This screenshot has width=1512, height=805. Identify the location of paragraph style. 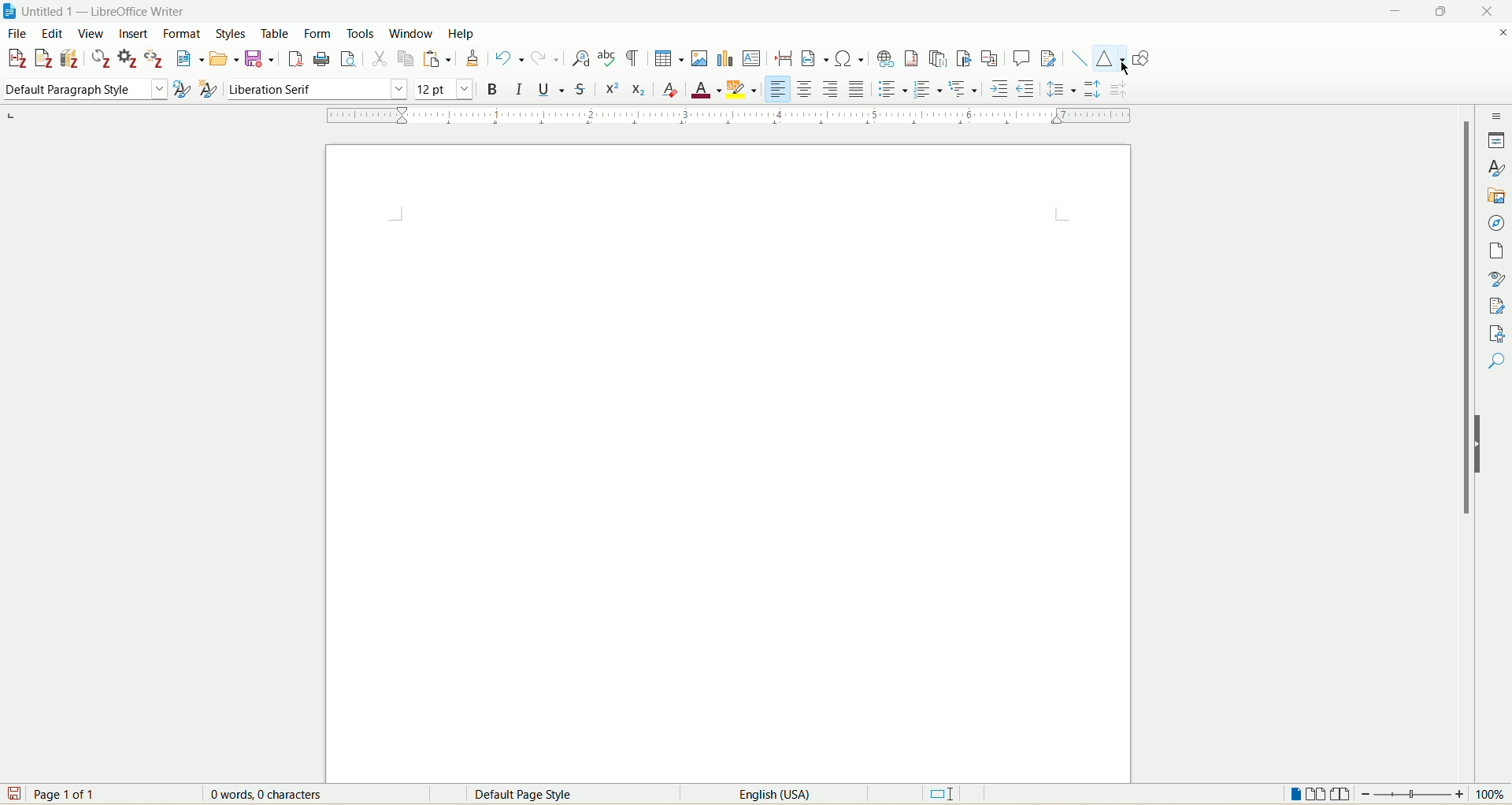
(82, 90).